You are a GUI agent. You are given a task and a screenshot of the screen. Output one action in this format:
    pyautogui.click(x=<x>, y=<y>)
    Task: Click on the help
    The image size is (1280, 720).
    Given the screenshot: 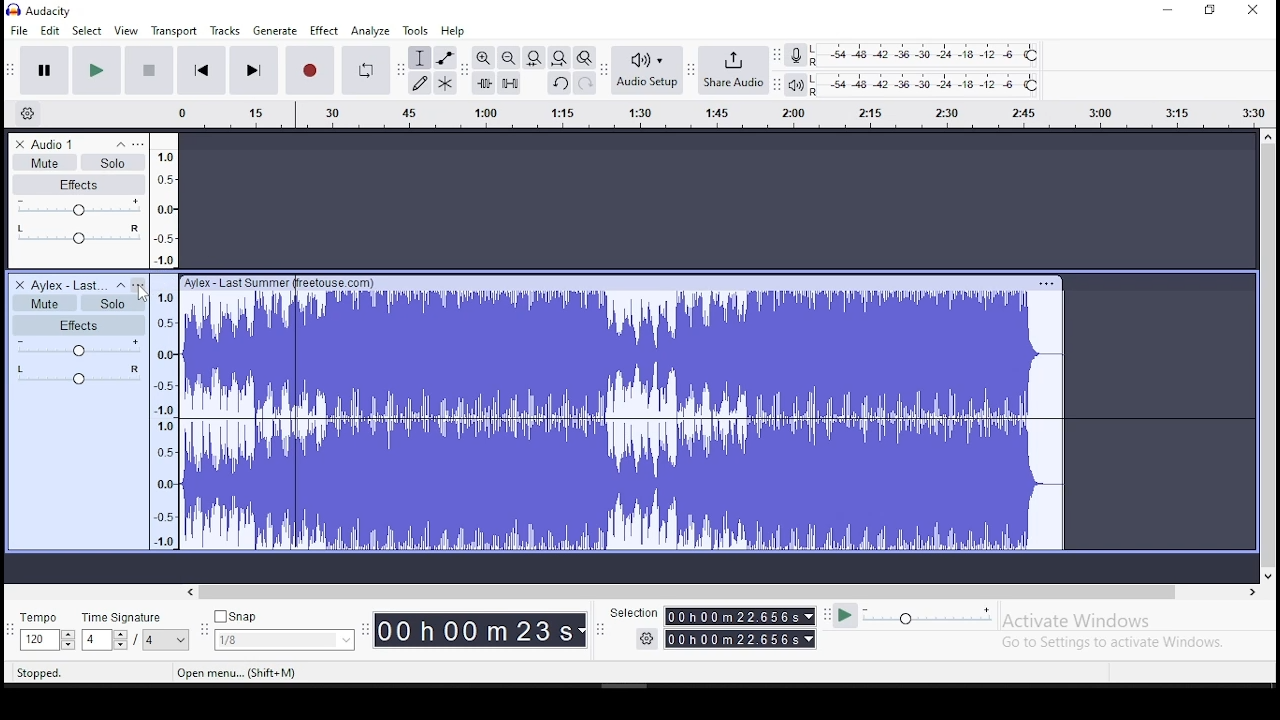 What is the action you would take?
    pyautogui.click(x=452, y=31)
    